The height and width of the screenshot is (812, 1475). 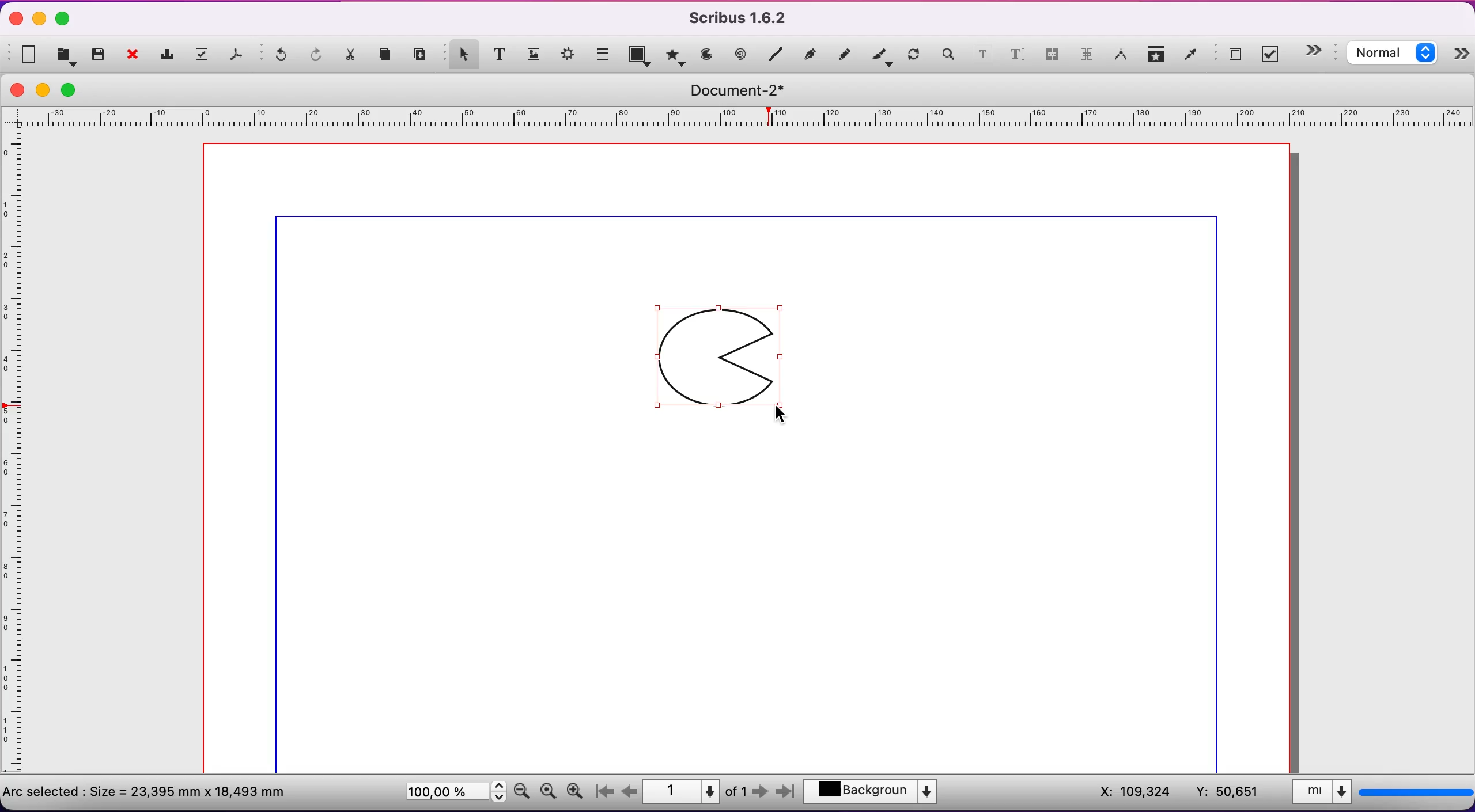 I want to click on export as pdf, so click(x=239, y=57).